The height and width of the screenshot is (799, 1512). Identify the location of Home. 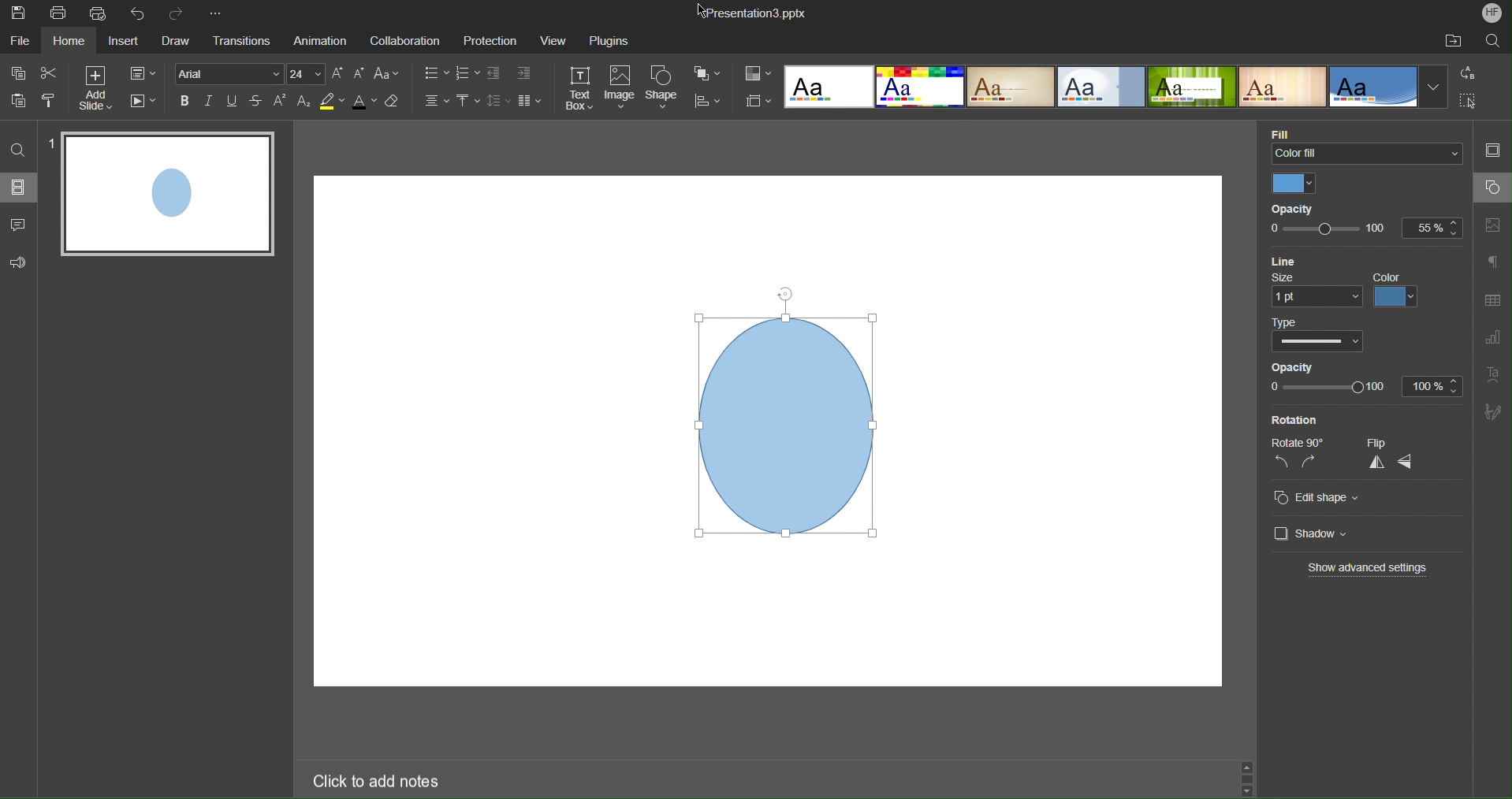
(70, 41).